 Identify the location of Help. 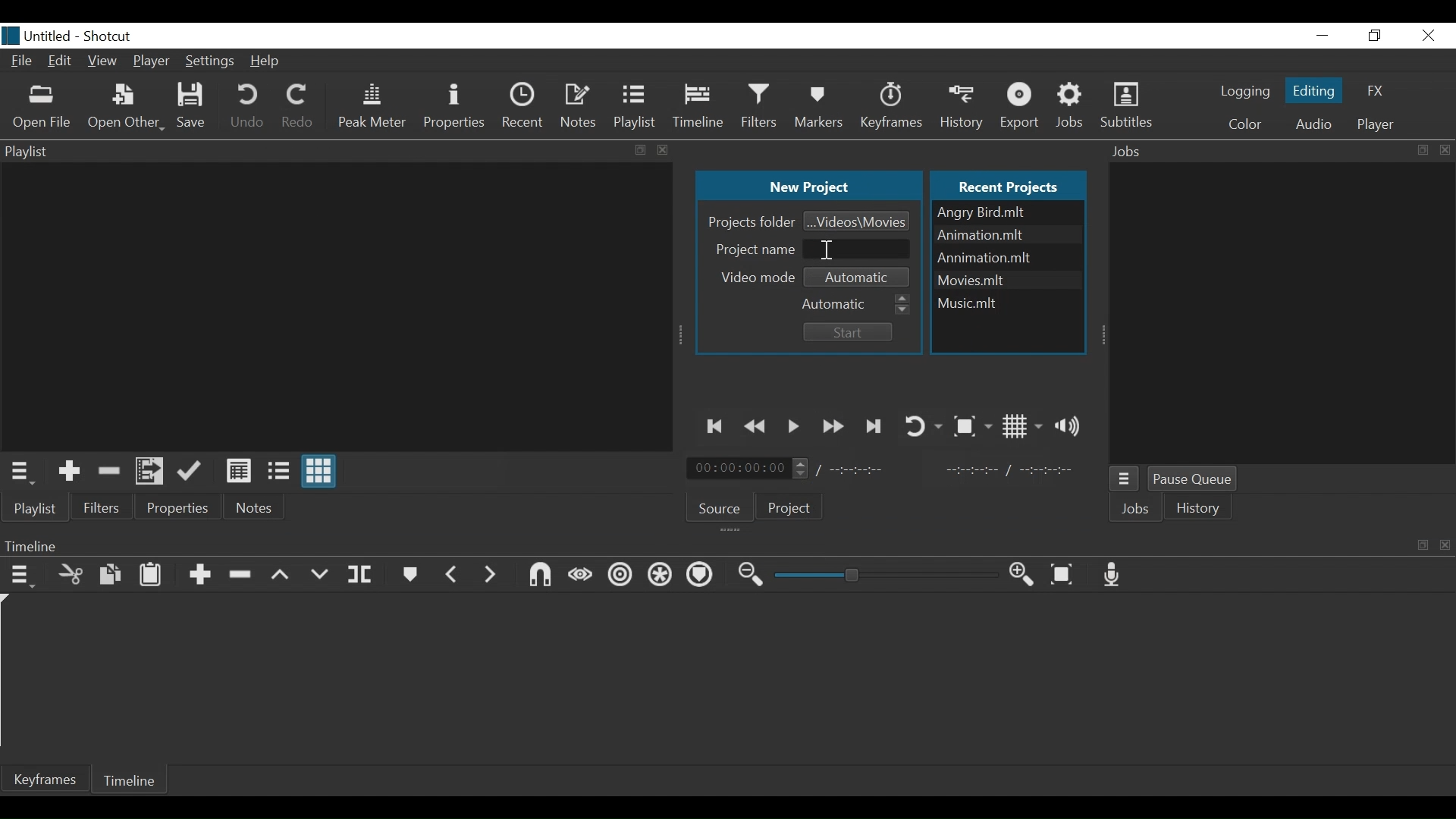
(268, 61).